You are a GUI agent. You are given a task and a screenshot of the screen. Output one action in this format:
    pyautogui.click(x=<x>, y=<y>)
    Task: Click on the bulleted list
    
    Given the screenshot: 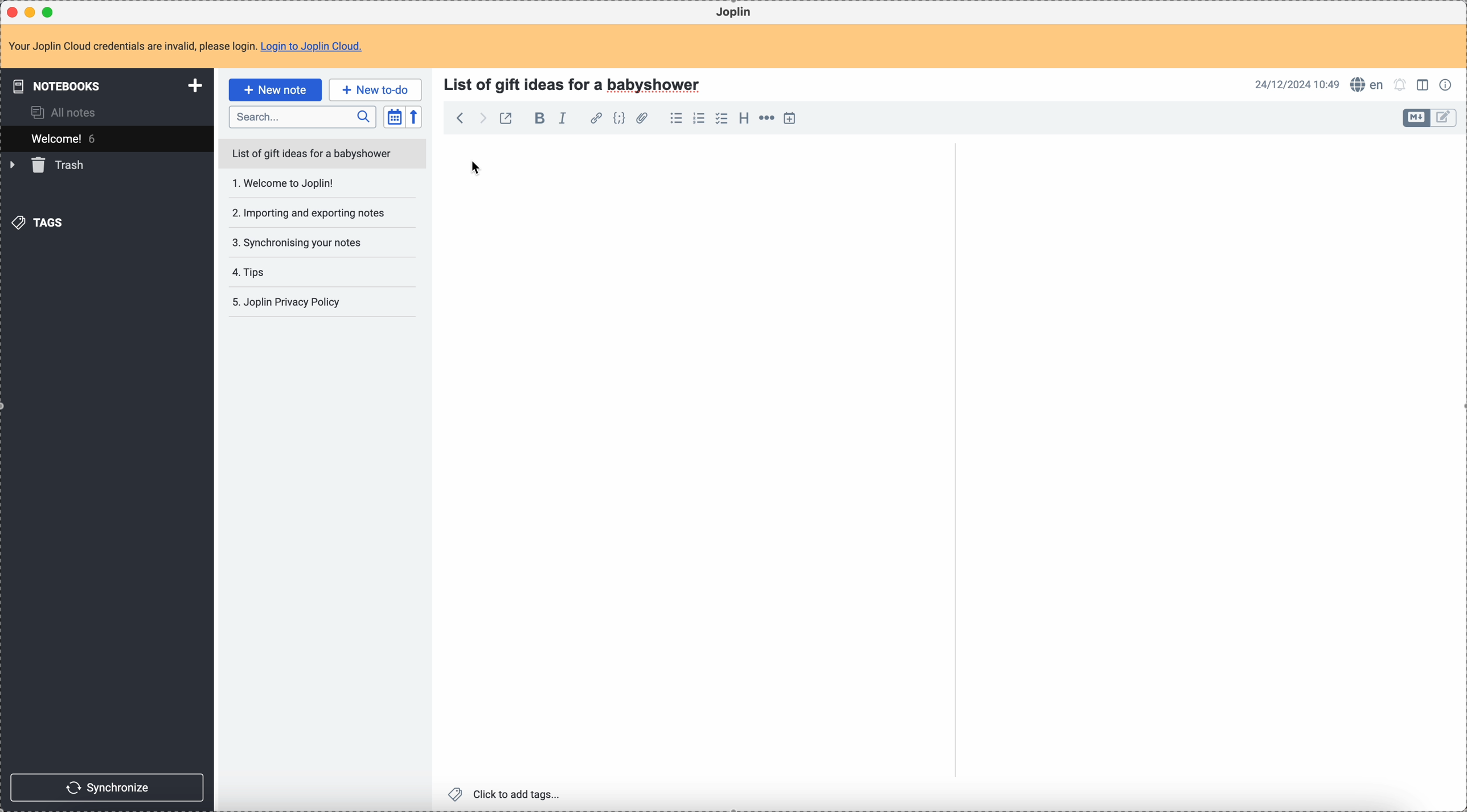 What is the action you would take?
    pyautogui.click(x=676, y=119)
    